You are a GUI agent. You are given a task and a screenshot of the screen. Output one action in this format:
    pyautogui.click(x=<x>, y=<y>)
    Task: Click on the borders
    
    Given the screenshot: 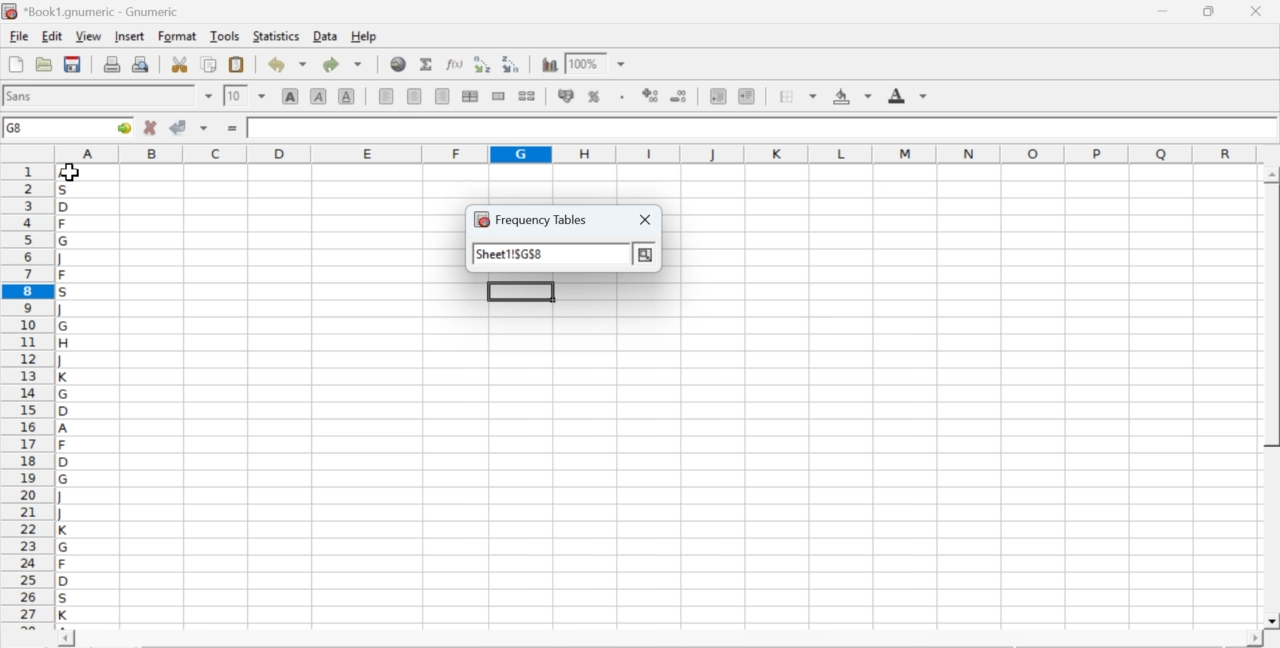 What is the action you would take?
    pyautogui.click(x=799, y=96)
    